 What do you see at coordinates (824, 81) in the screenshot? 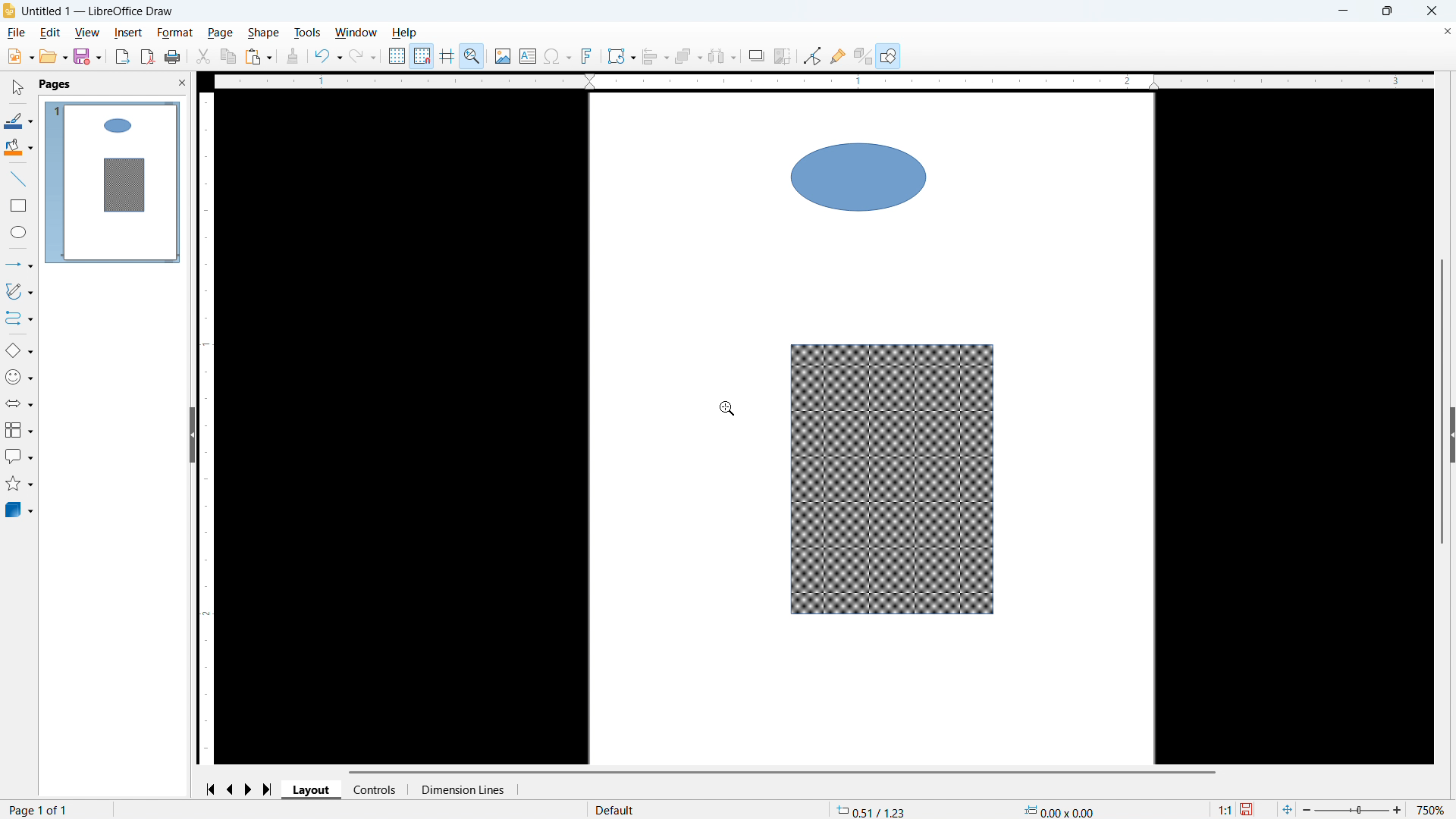
I see `Horizontal ruler ` at bounding box center [824, 81].